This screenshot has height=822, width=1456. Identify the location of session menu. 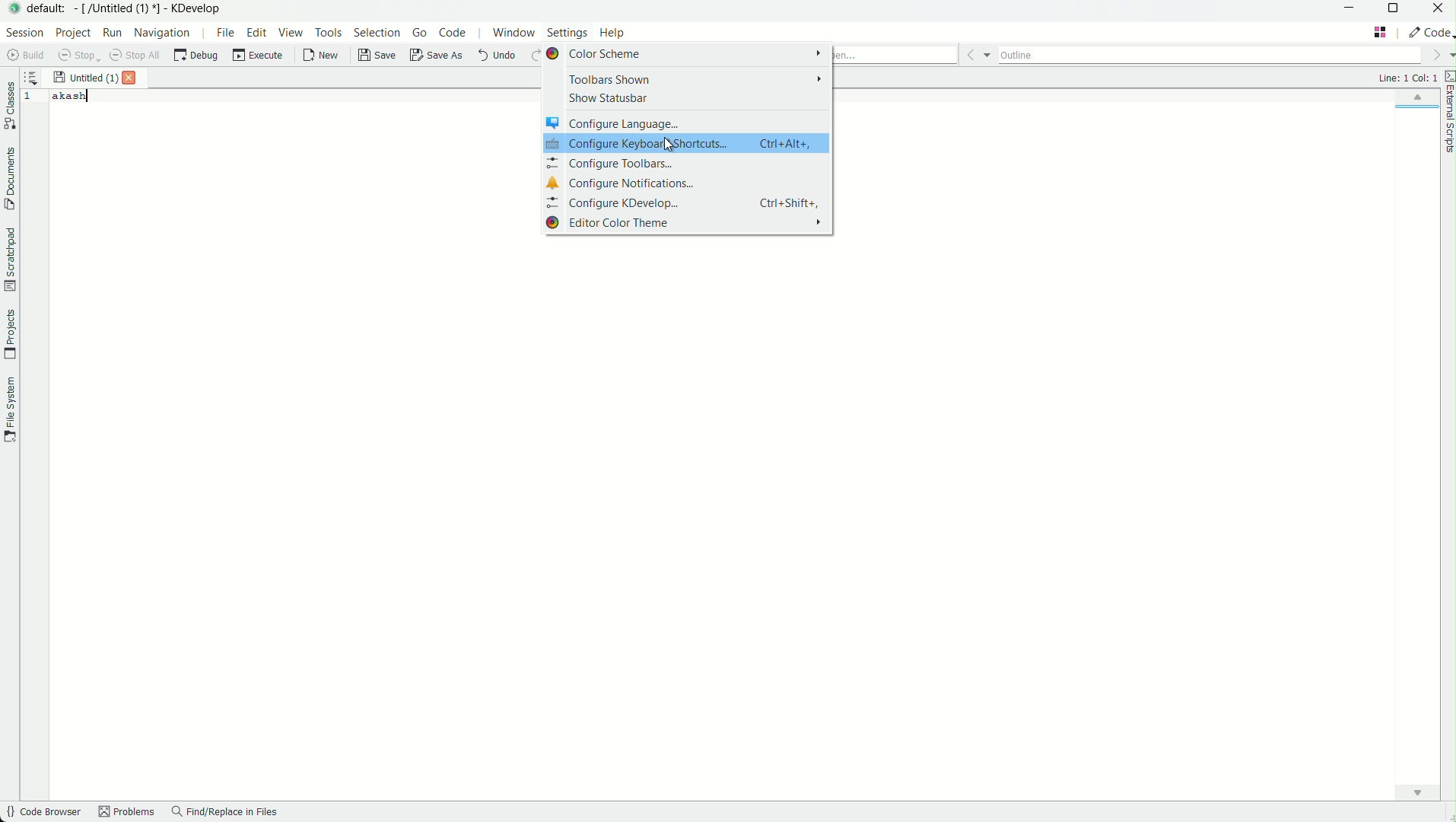
(23, 32).